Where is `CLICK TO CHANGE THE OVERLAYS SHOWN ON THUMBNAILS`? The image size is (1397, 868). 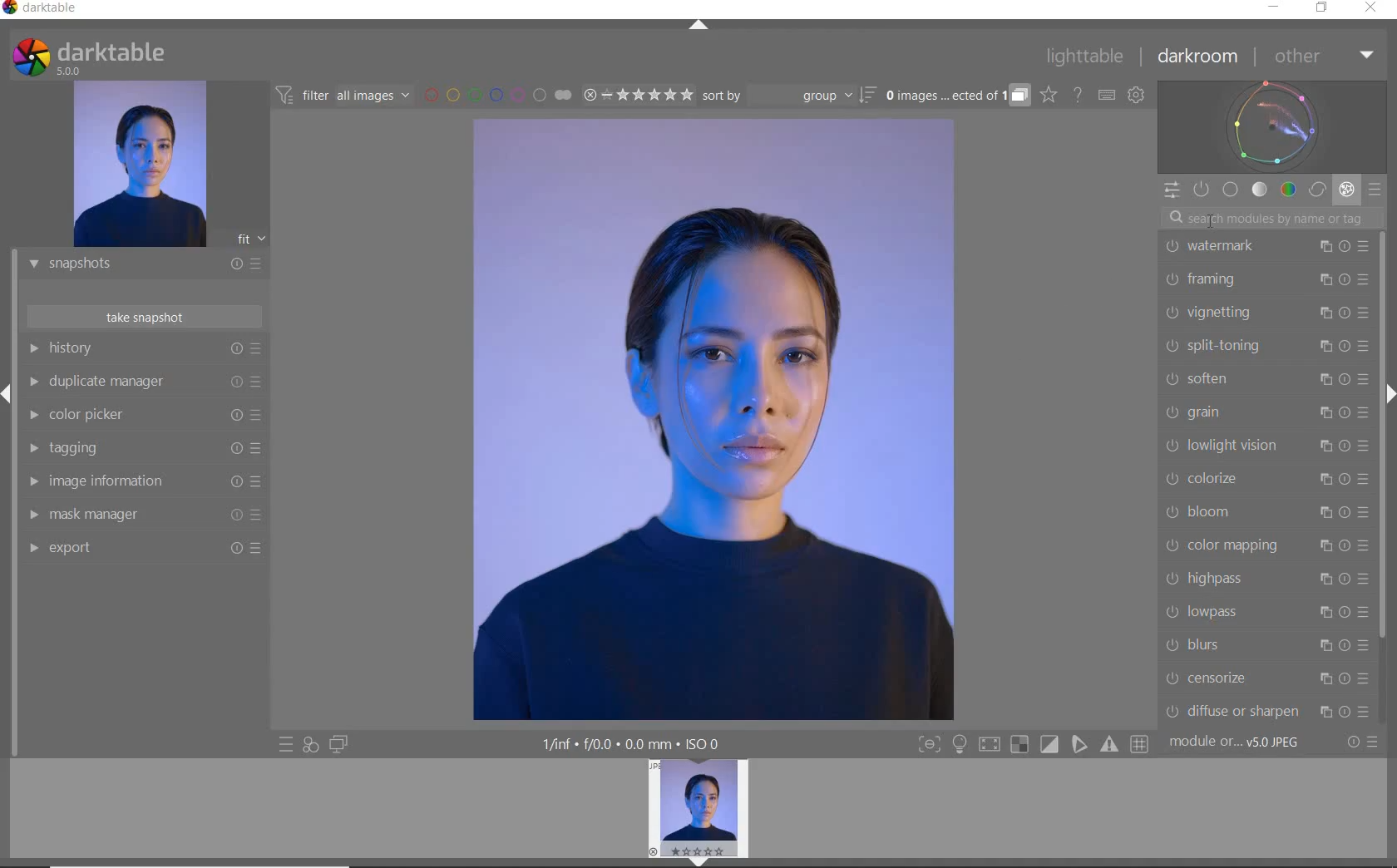
CLICK TO CHANGE THE OVERLAYS SHOWN ON THUMBNAILS is located at coordinates (1049, 95).